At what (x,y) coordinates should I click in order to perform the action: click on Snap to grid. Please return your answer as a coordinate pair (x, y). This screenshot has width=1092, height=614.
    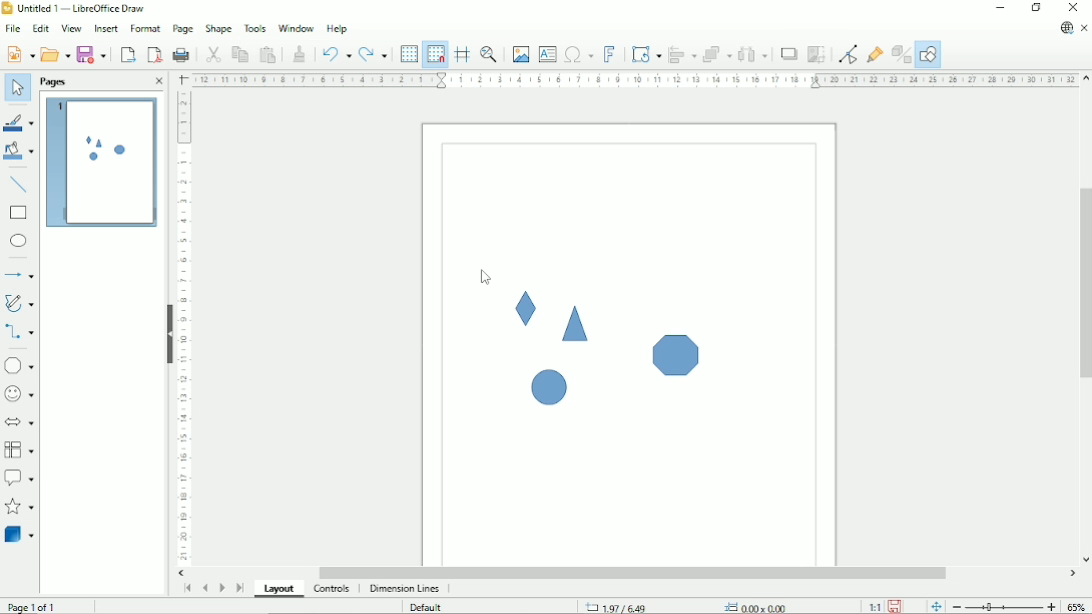
    Looking at the image, I should click on (435, 53).